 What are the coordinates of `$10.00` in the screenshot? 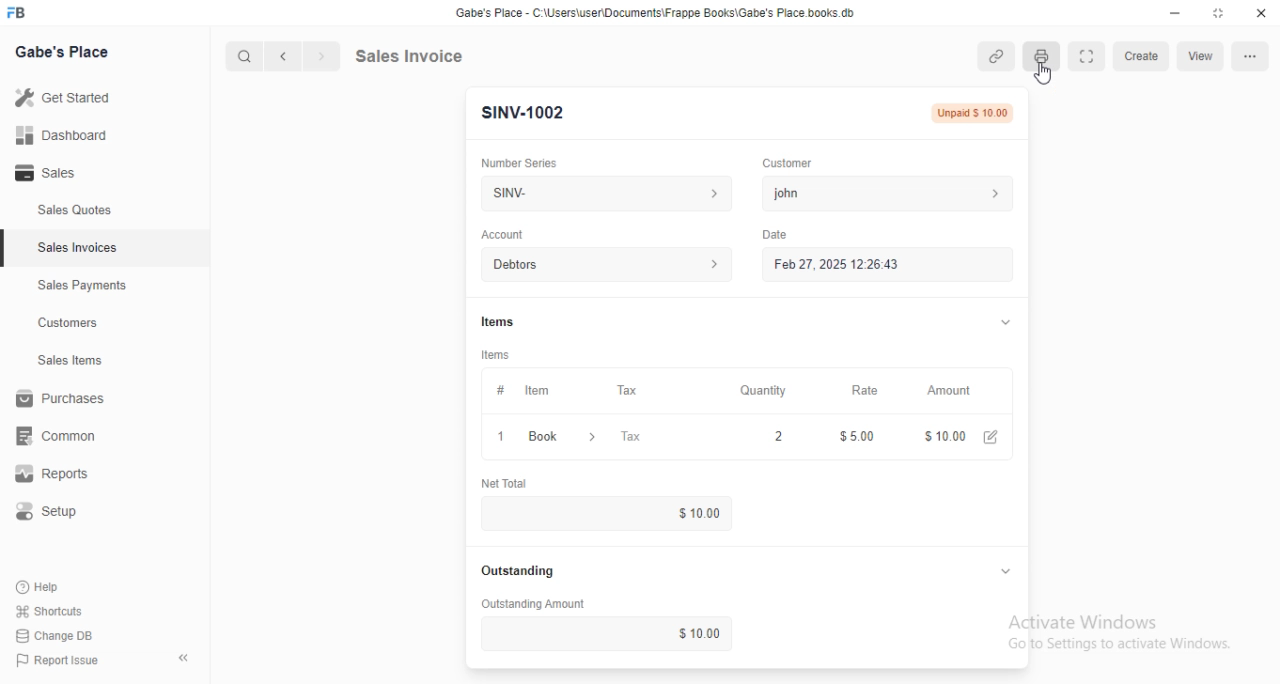 It's located at (607, 633).